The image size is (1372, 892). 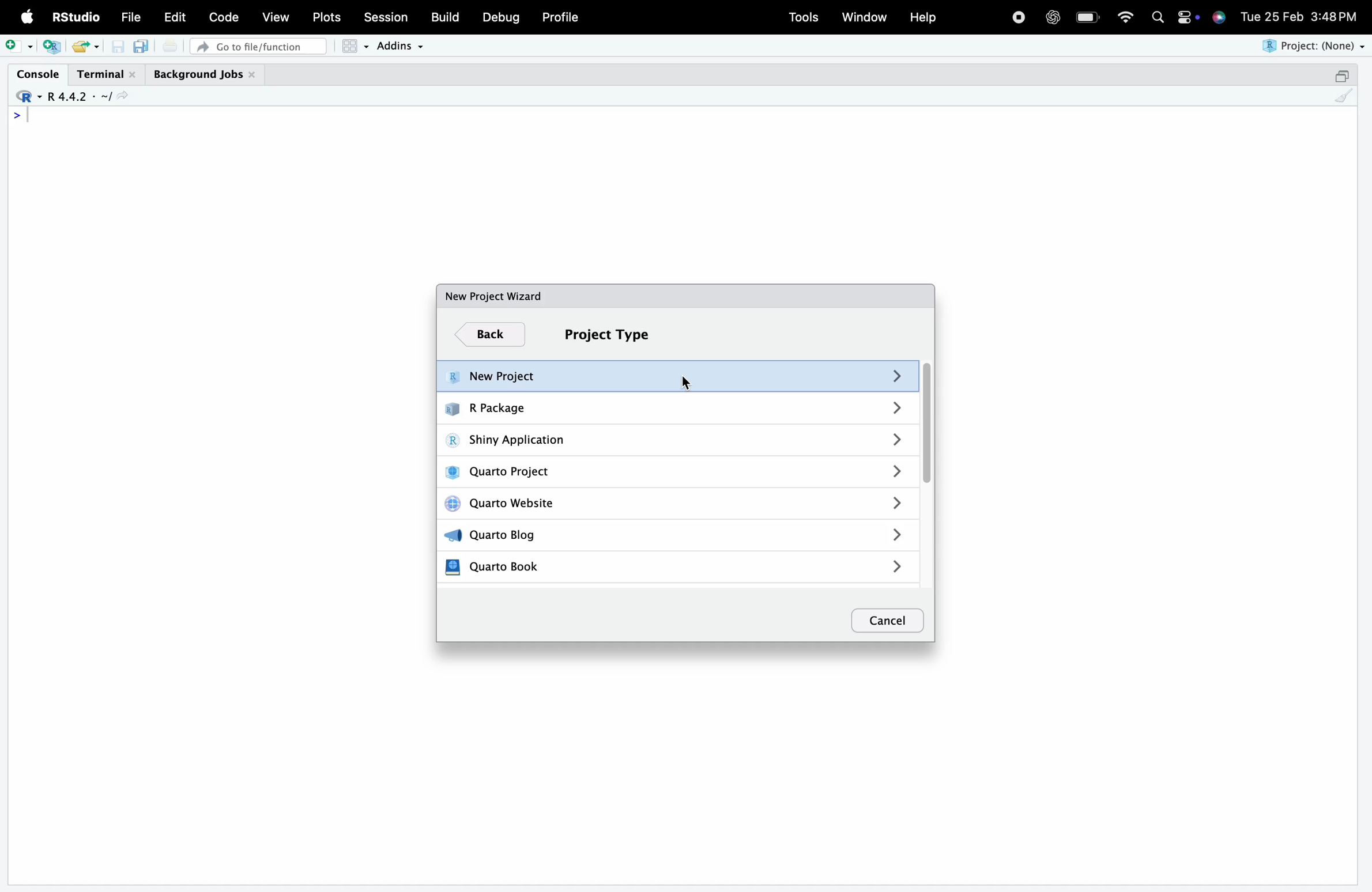 What do you see at coordinates (1187, 17) in the screenshot?
I see `settings` at bounding box center [1187, 17].